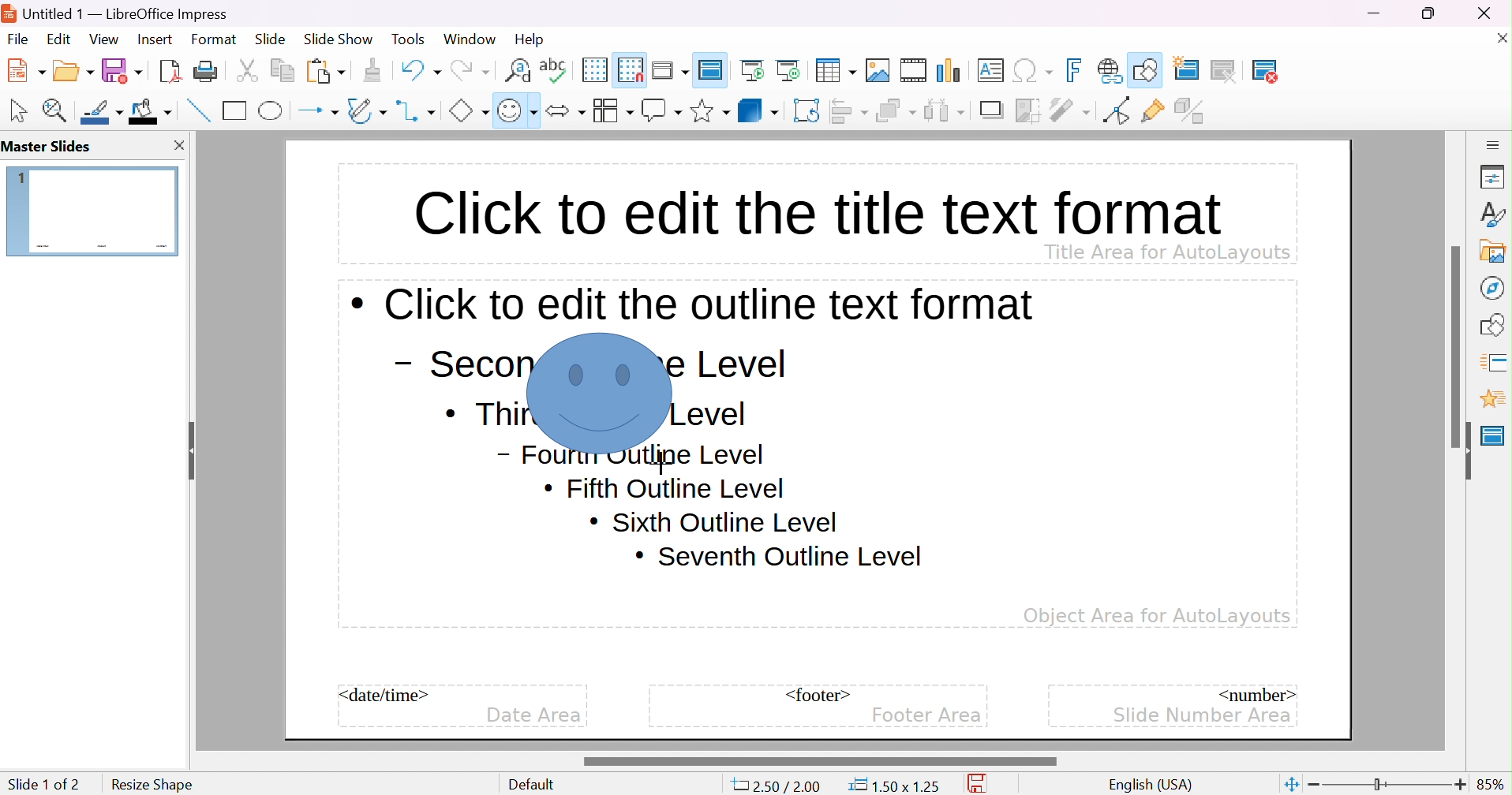  I want to click on slide layout, so click(1319, 70).